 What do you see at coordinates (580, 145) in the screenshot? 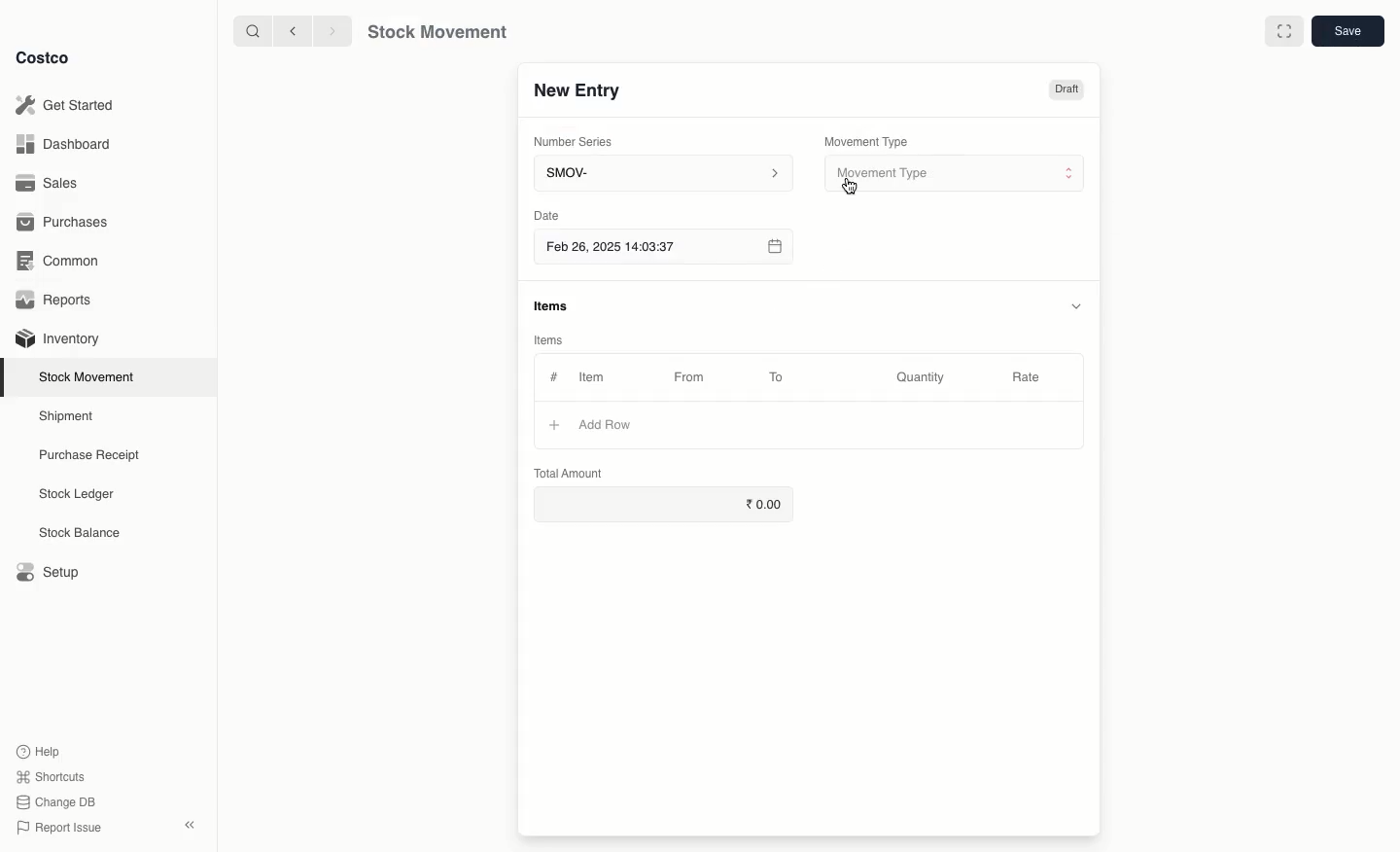
I see `Number Series` at bounding box center [580, 145].